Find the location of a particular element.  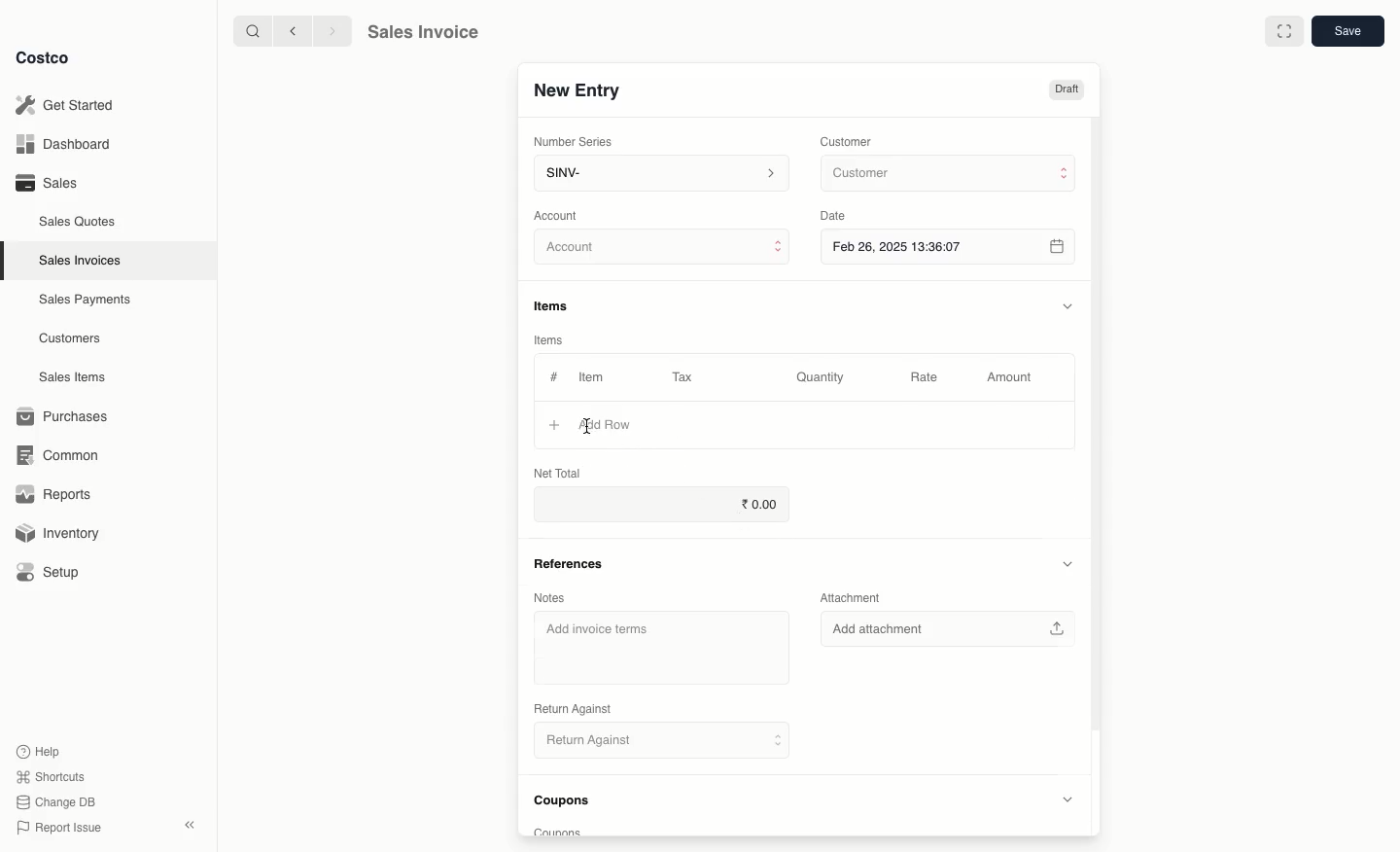

Coupons is located at coordinates (562, 800).